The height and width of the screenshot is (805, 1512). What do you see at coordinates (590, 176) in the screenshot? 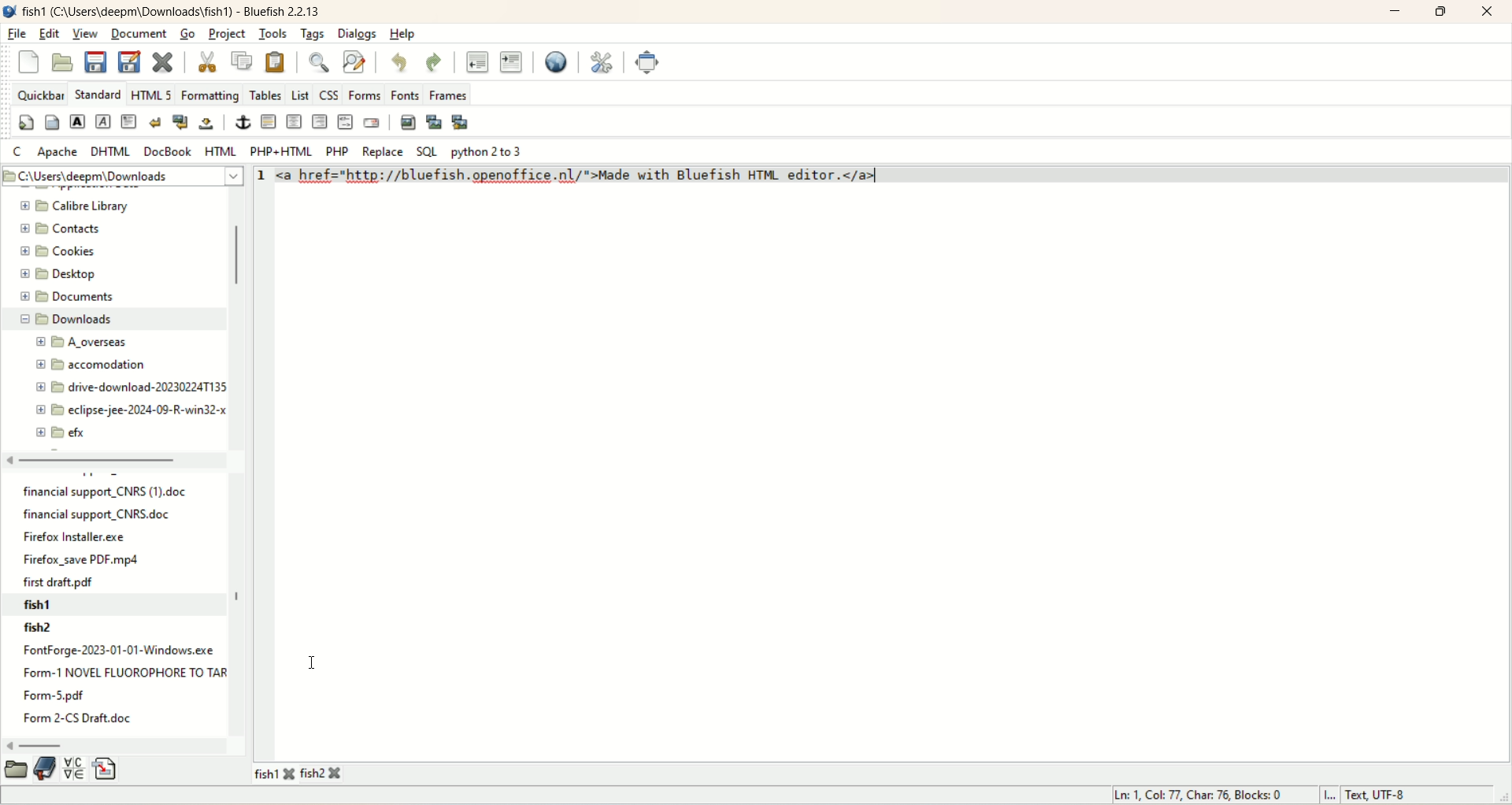
I see `code` at bounding box center [590, 176].